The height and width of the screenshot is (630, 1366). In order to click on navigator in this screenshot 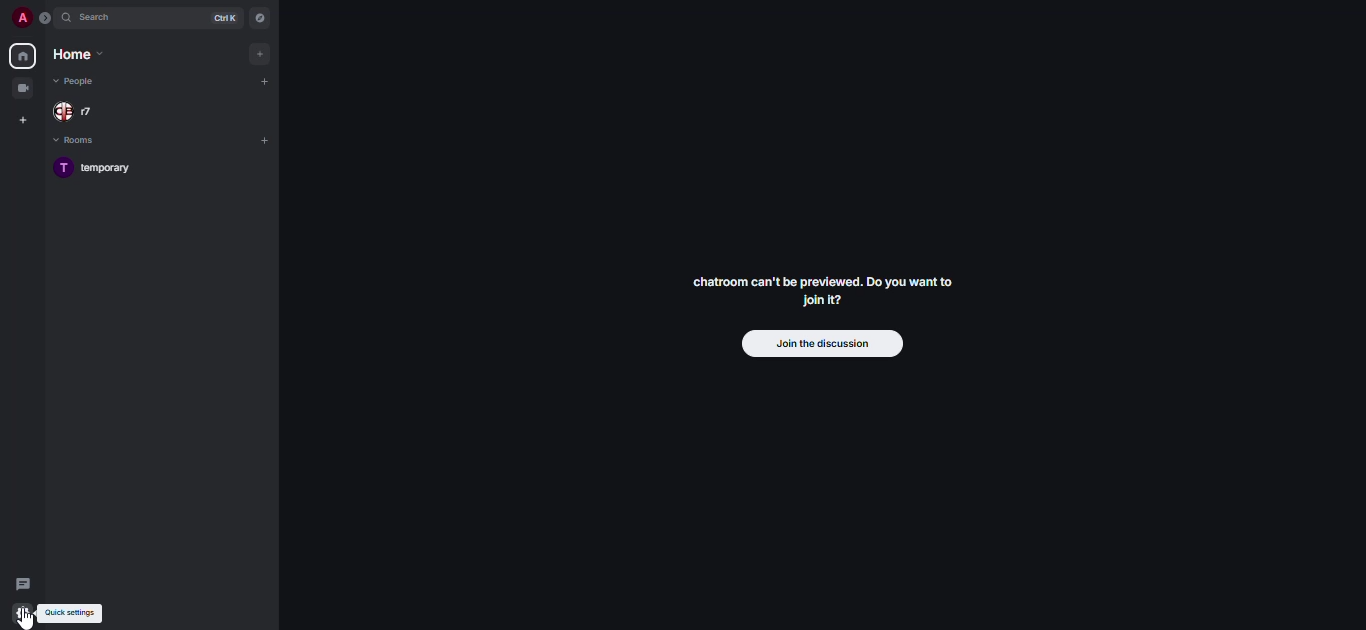, I will do `click(261, 18)`.